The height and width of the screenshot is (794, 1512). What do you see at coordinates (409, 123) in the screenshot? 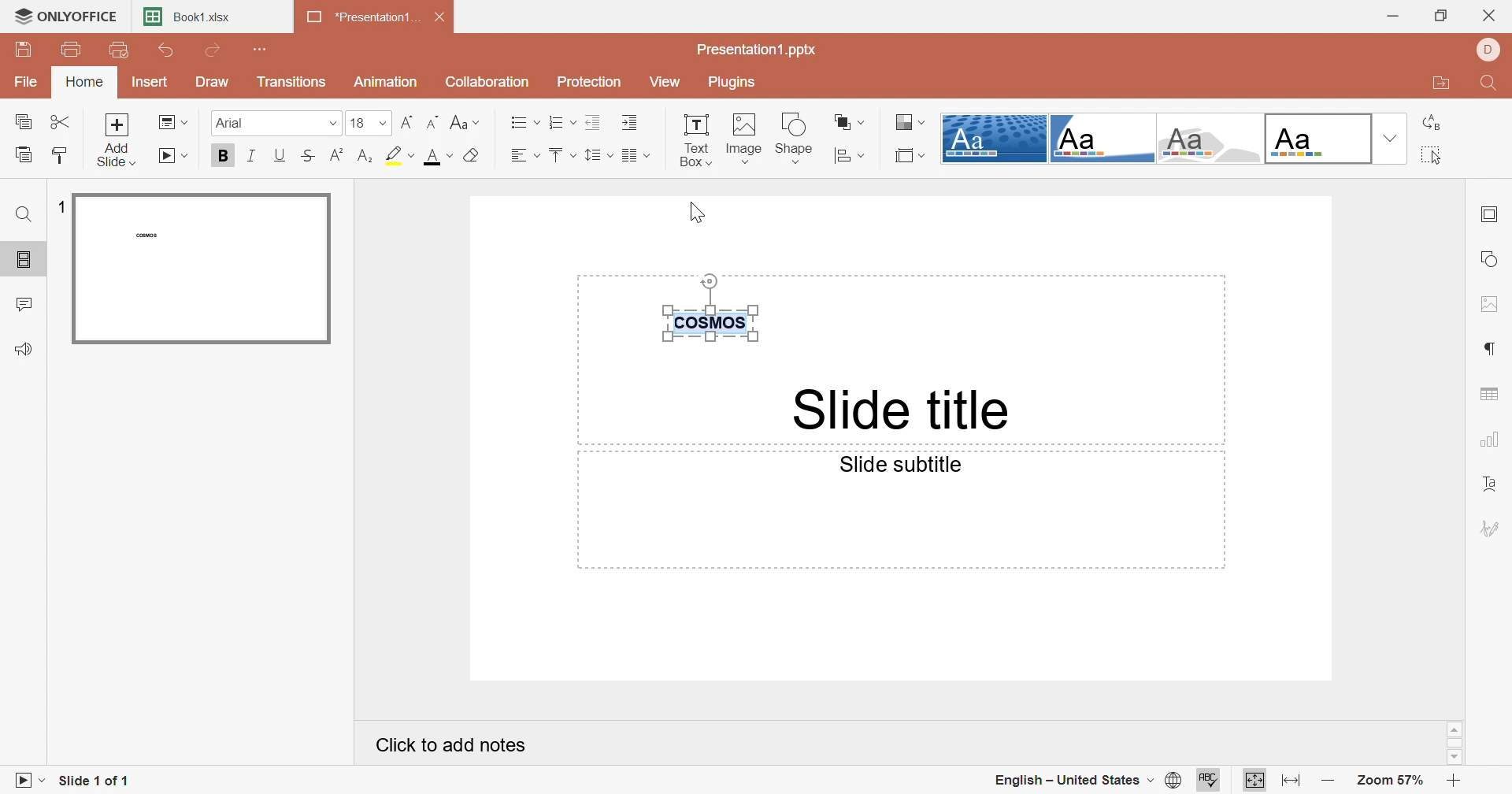
I see `Increment font size` at bounding box center [409, 123].